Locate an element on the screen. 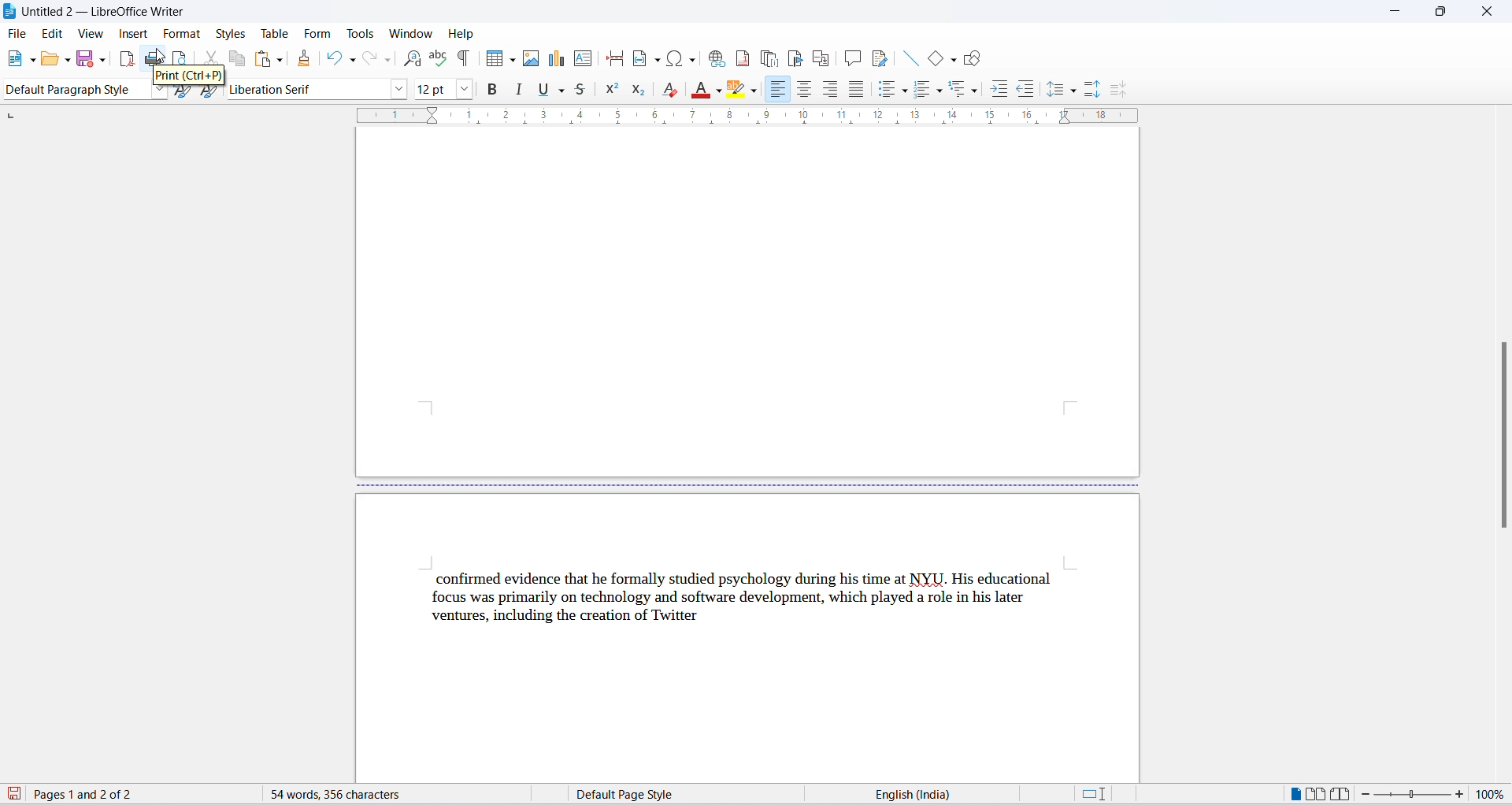  view is located at coordinates (92, 34).